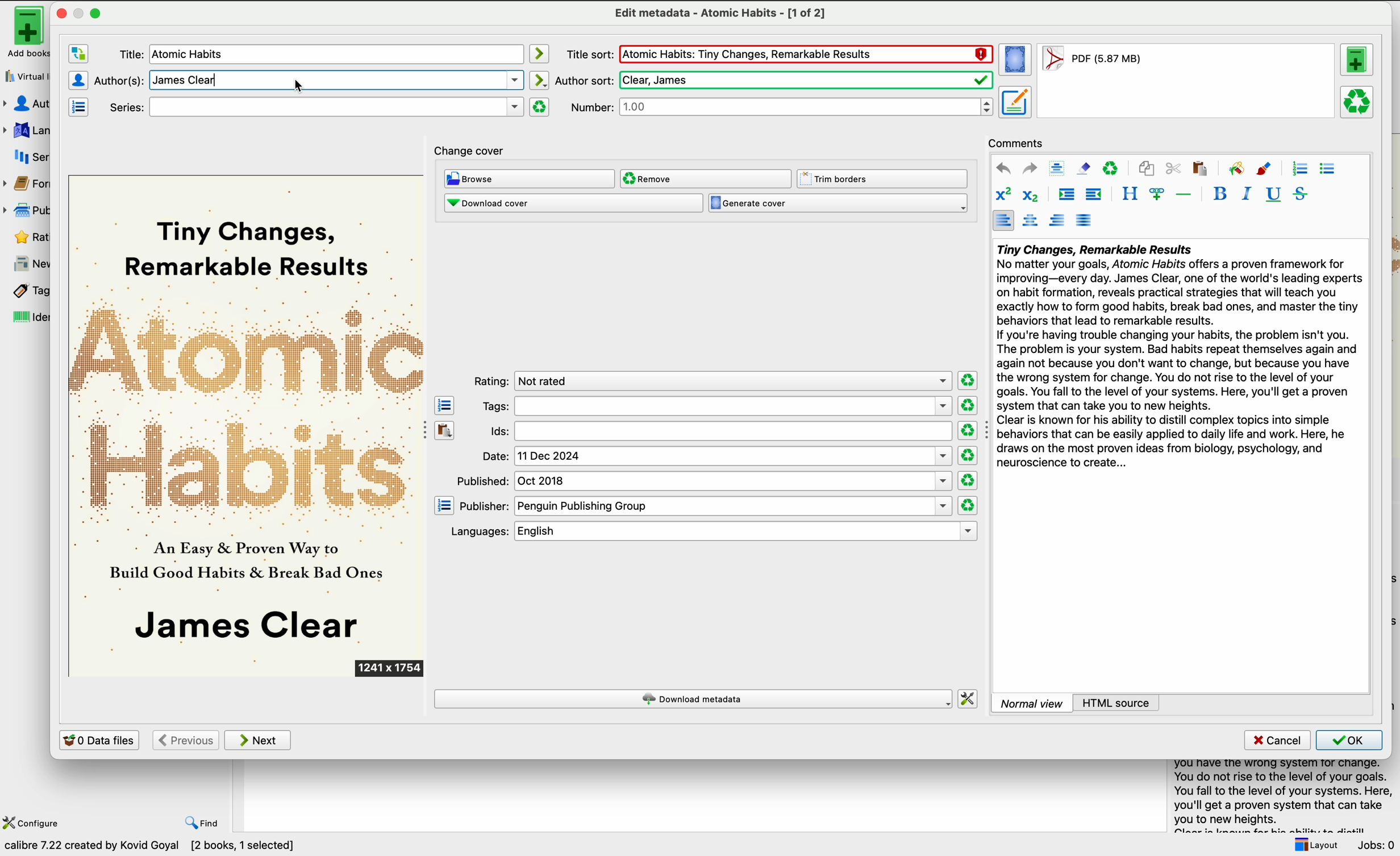  Describe the element at coordinates (716, 456) in the screenshot. I see `date` at that location.